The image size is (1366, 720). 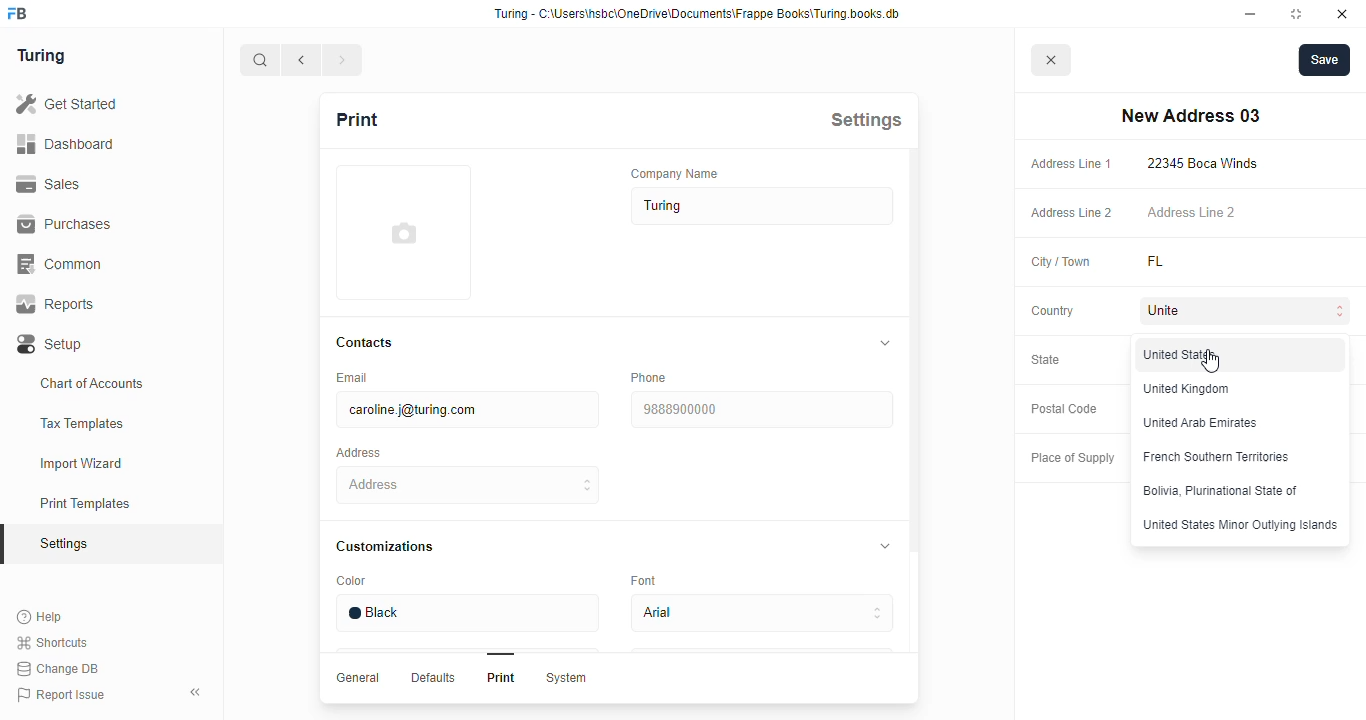 What do you see at coordinates (1046, 359) in the screenshot?
I see `state` at bounding box center [1046, 359].